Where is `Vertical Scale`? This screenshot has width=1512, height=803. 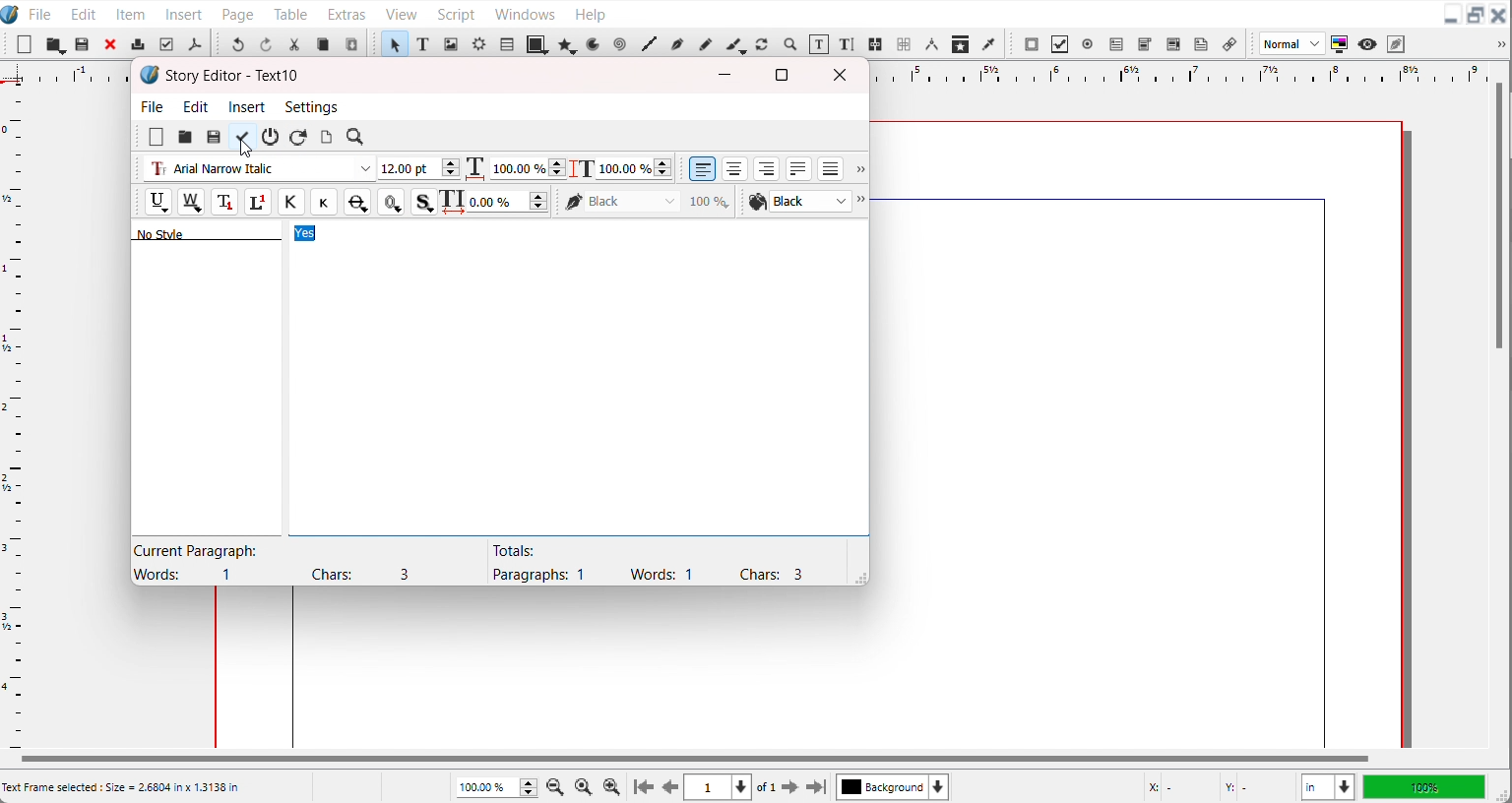 Vertical Scale is located at coordinates (14, 413).